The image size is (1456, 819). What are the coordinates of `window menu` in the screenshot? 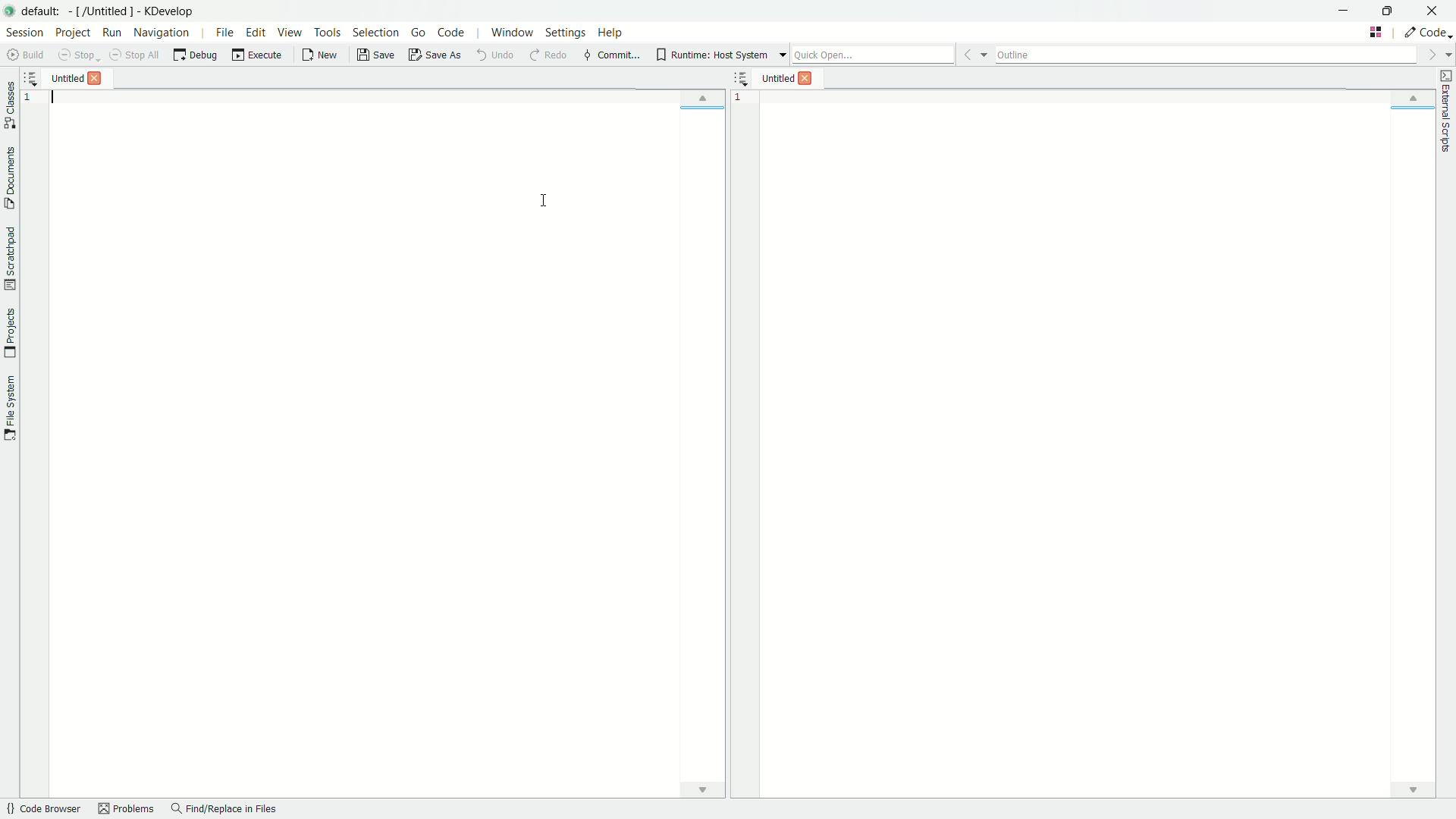 It's located at (513, 33).